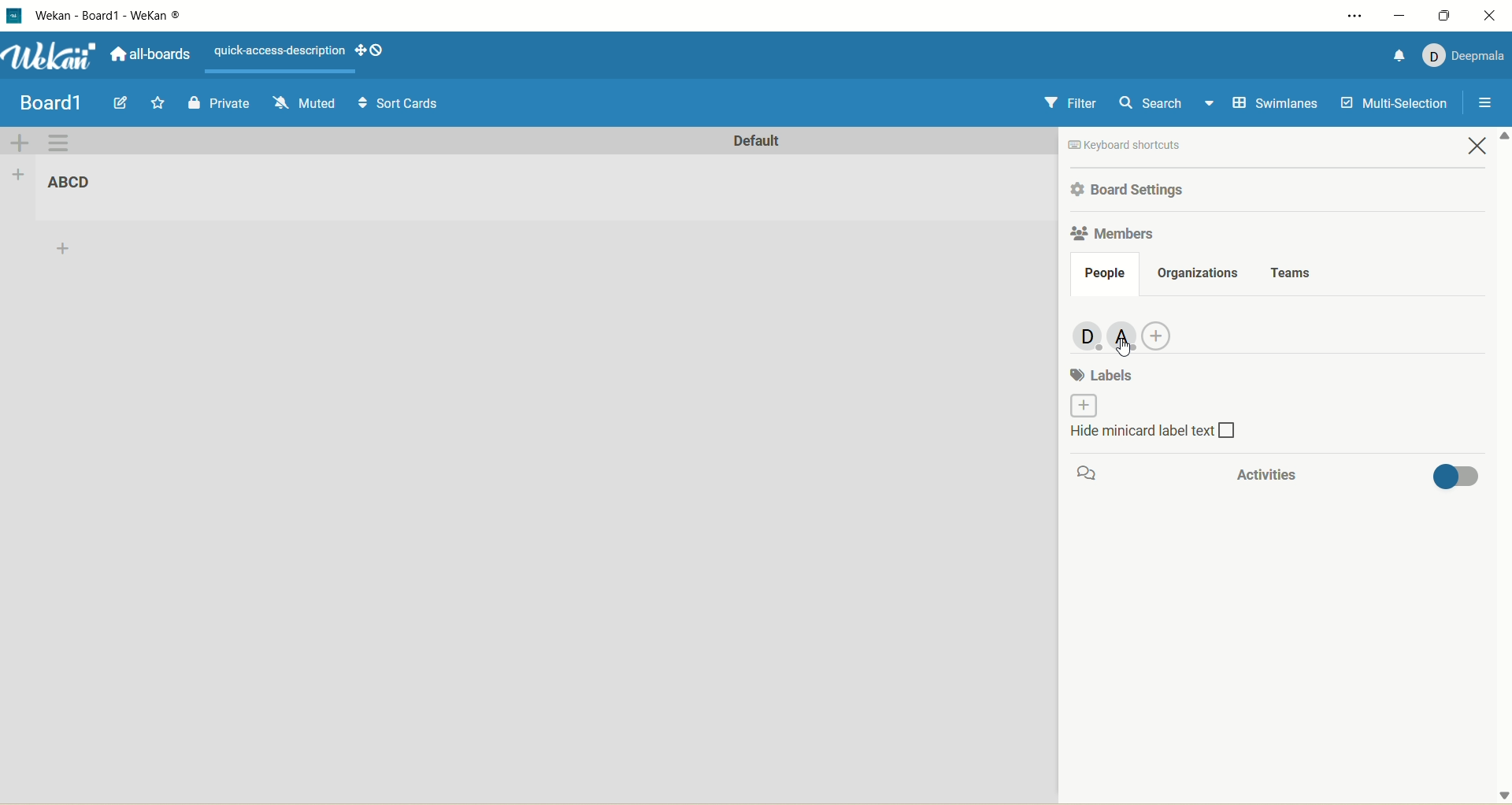 The height and width of the screenshot is (805, 1512). What do you see at coordinates (1112, 236) in the screenshot?
I see `members` at bounding box center [1112, 236].